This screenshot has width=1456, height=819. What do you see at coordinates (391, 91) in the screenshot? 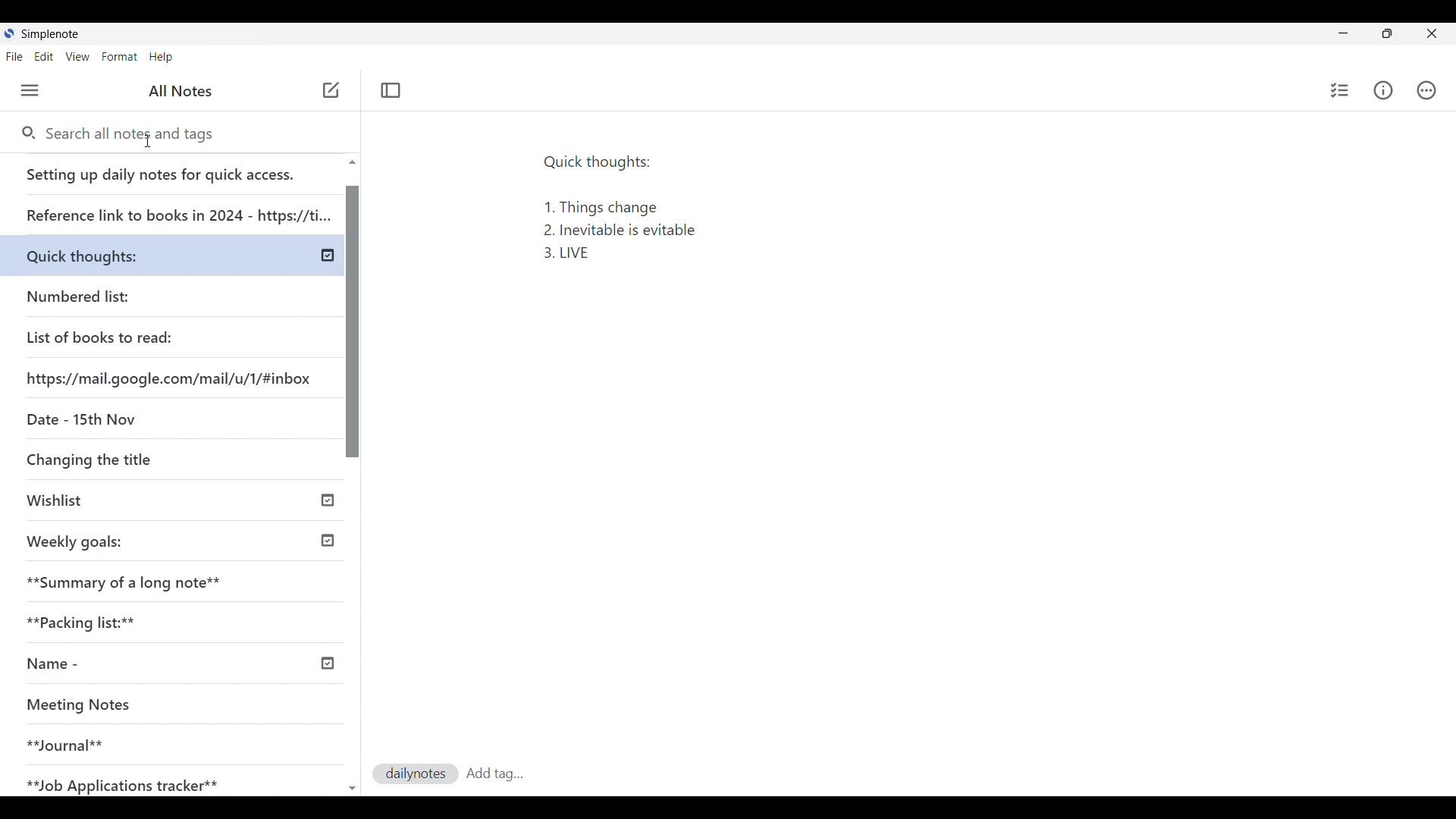
I see `Toggle focus mode` at bounding box center [391, 91].